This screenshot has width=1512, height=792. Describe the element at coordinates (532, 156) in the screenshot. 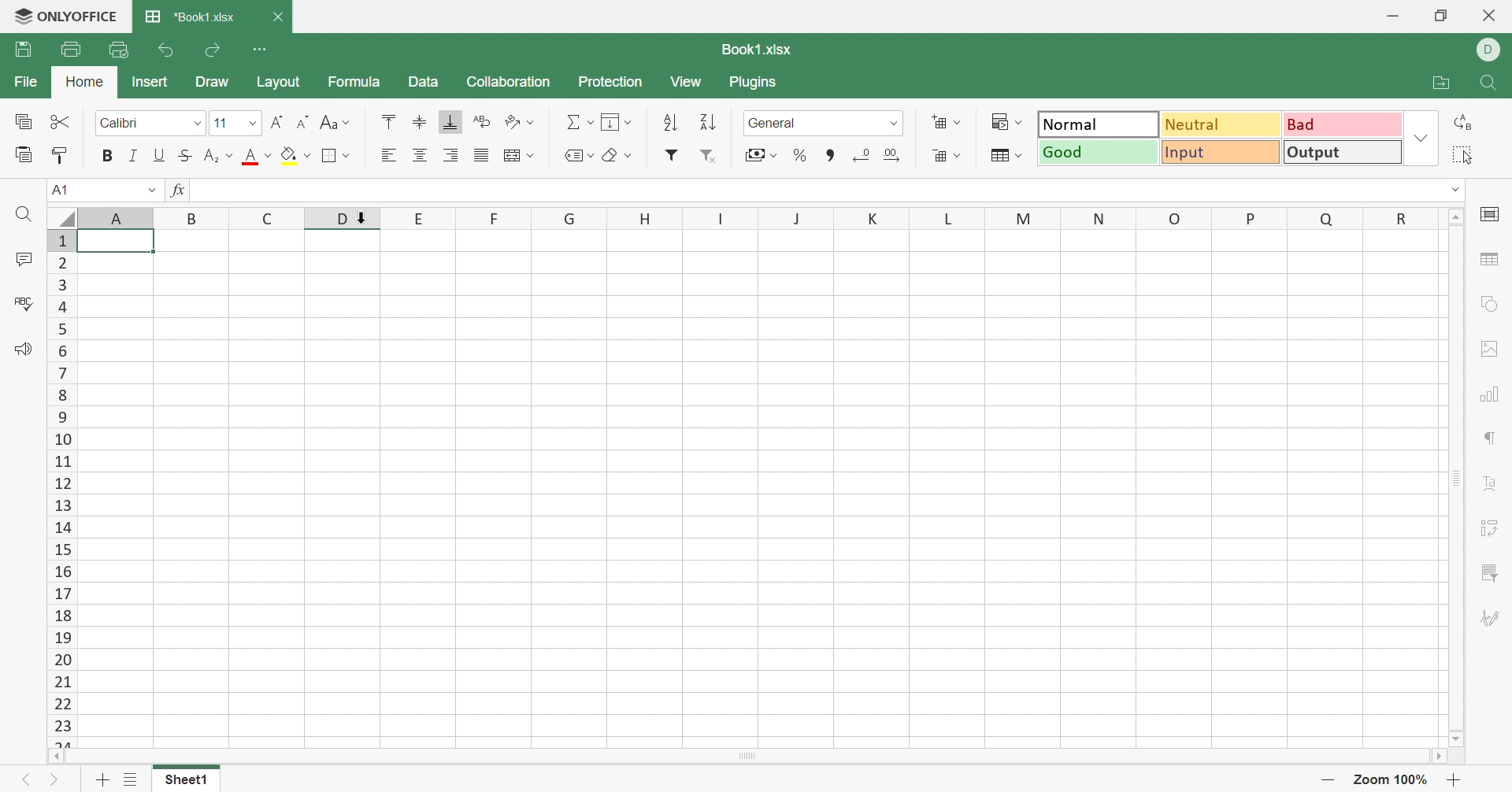

I see `Drop Down` at that location.